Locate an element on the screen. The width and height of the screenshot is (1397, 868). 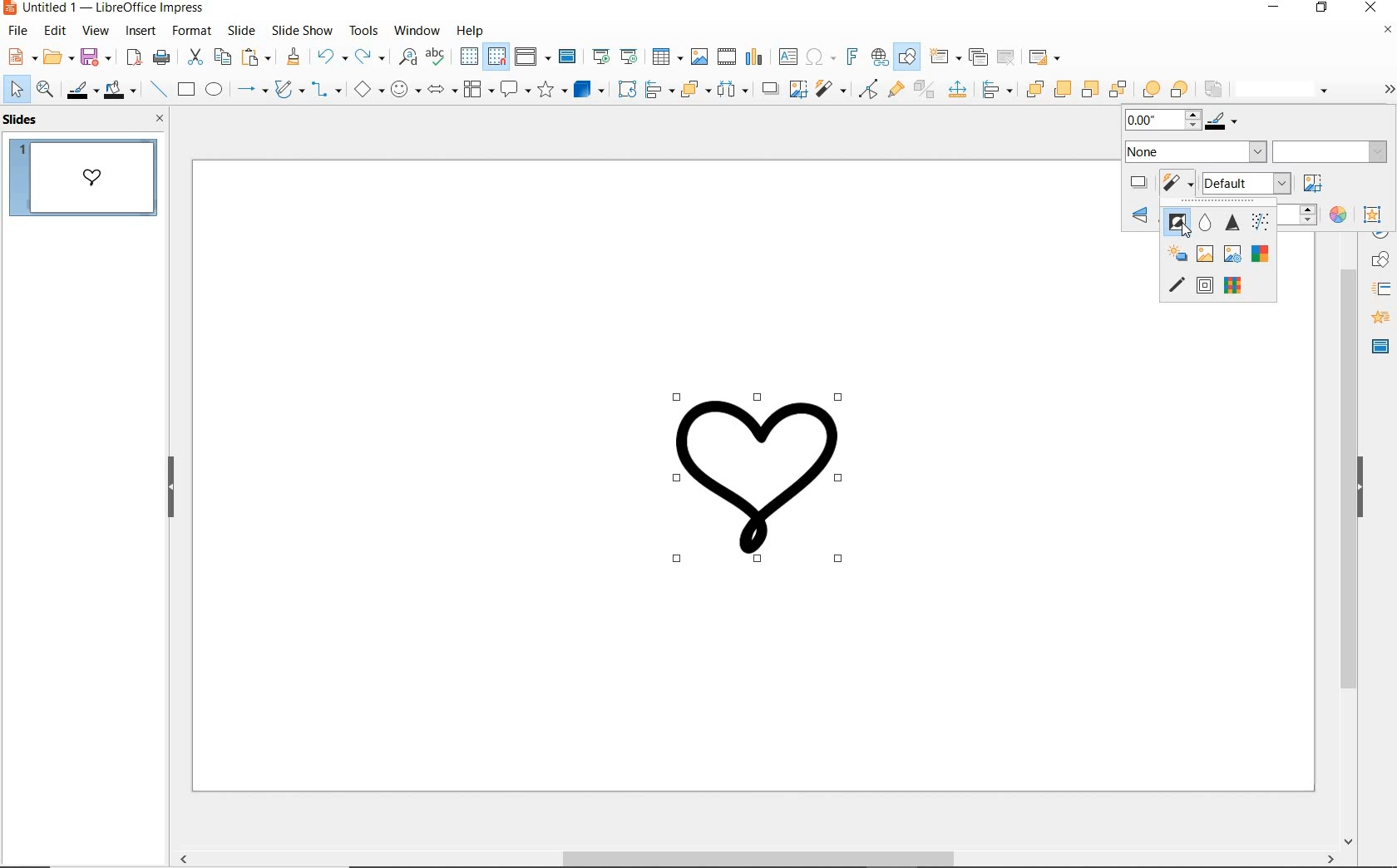
NAVIGATOR is located at coordinates (1383, 238).